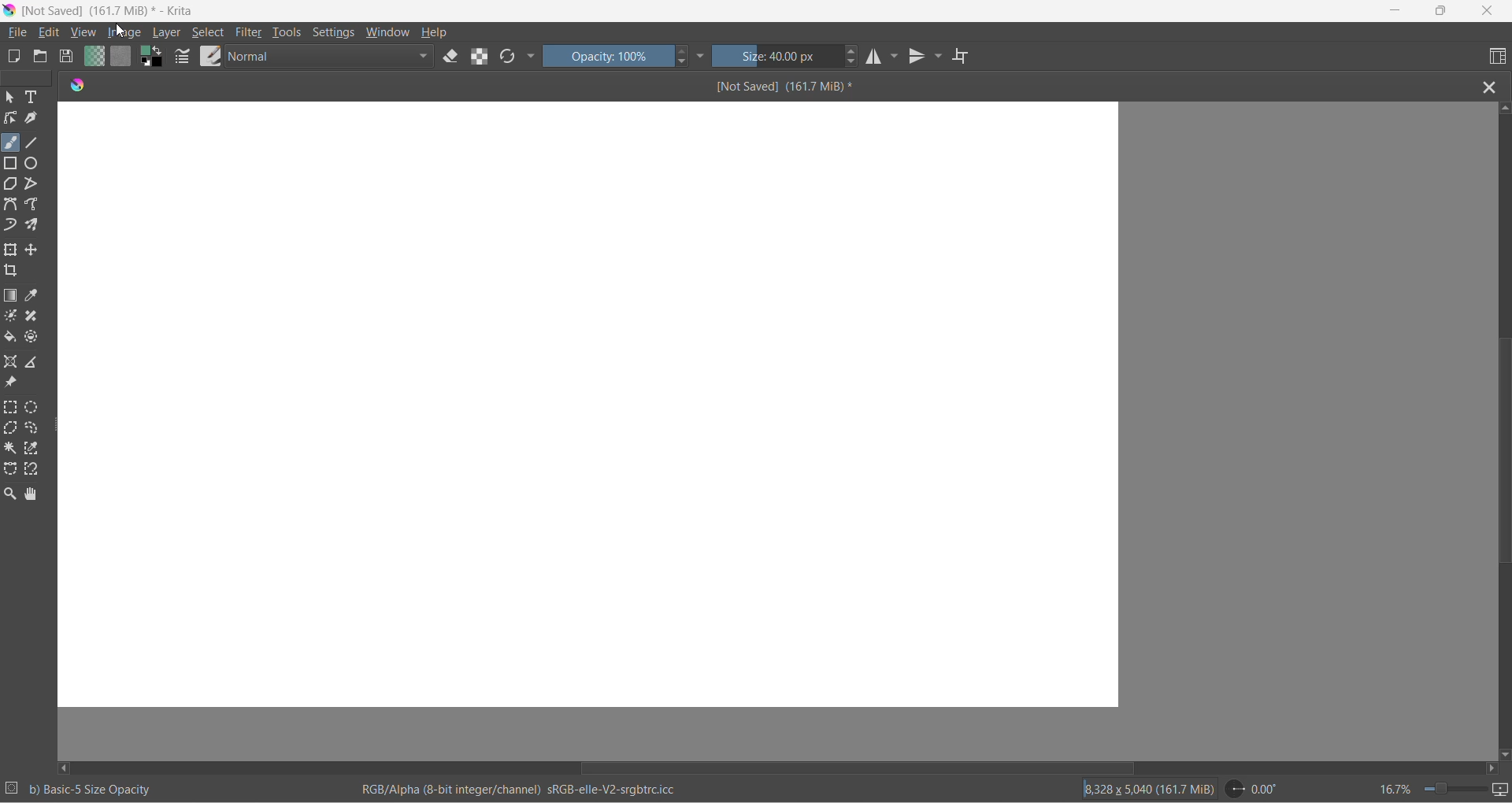 The width and height of the screenshot is (1512, 803). What do you see at coordinates (31, 118) in the screenshot?
I see `calligraphy` at bounding box center [31, 118].